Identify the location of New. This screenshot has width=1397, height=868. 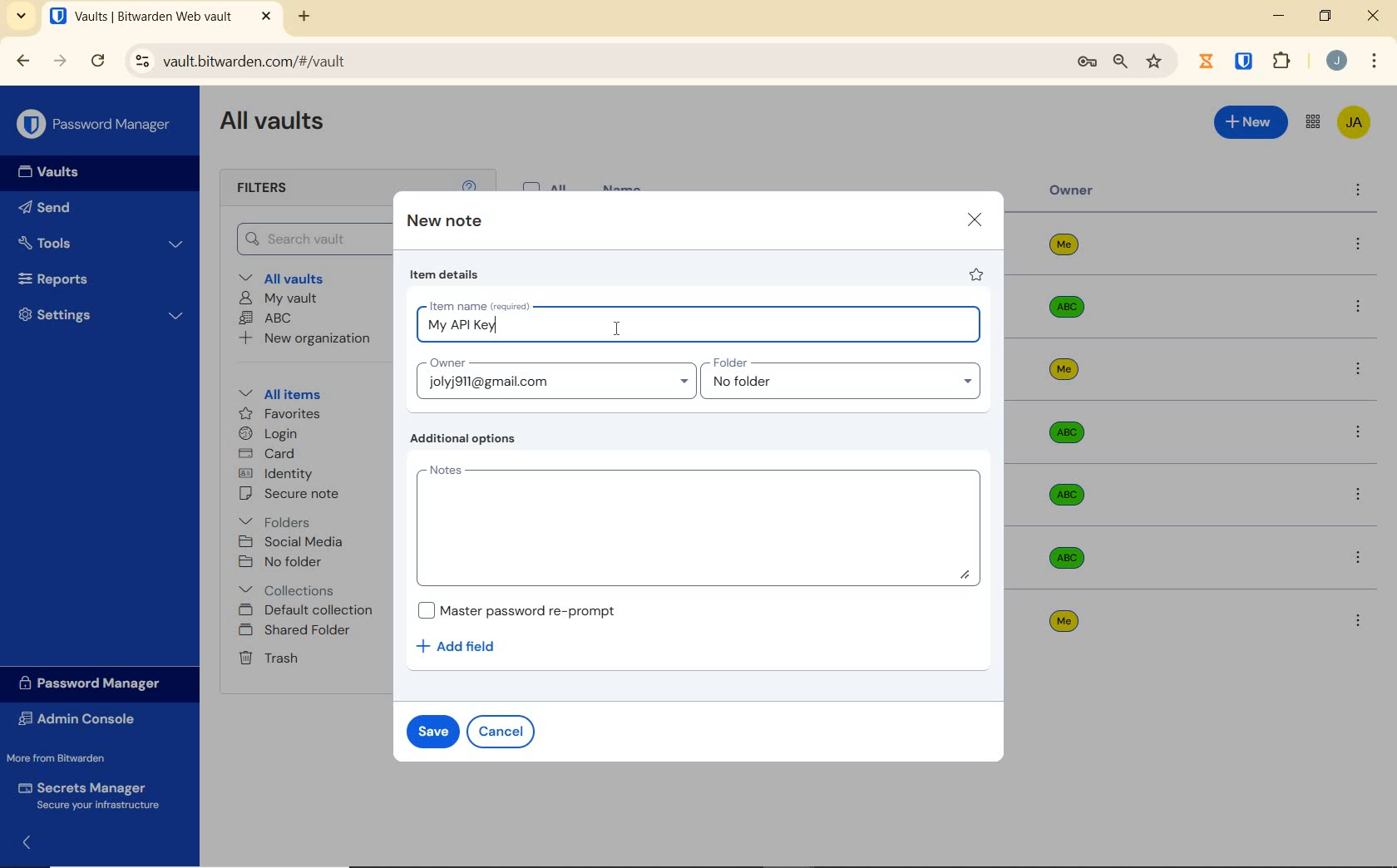
(1250, 122).